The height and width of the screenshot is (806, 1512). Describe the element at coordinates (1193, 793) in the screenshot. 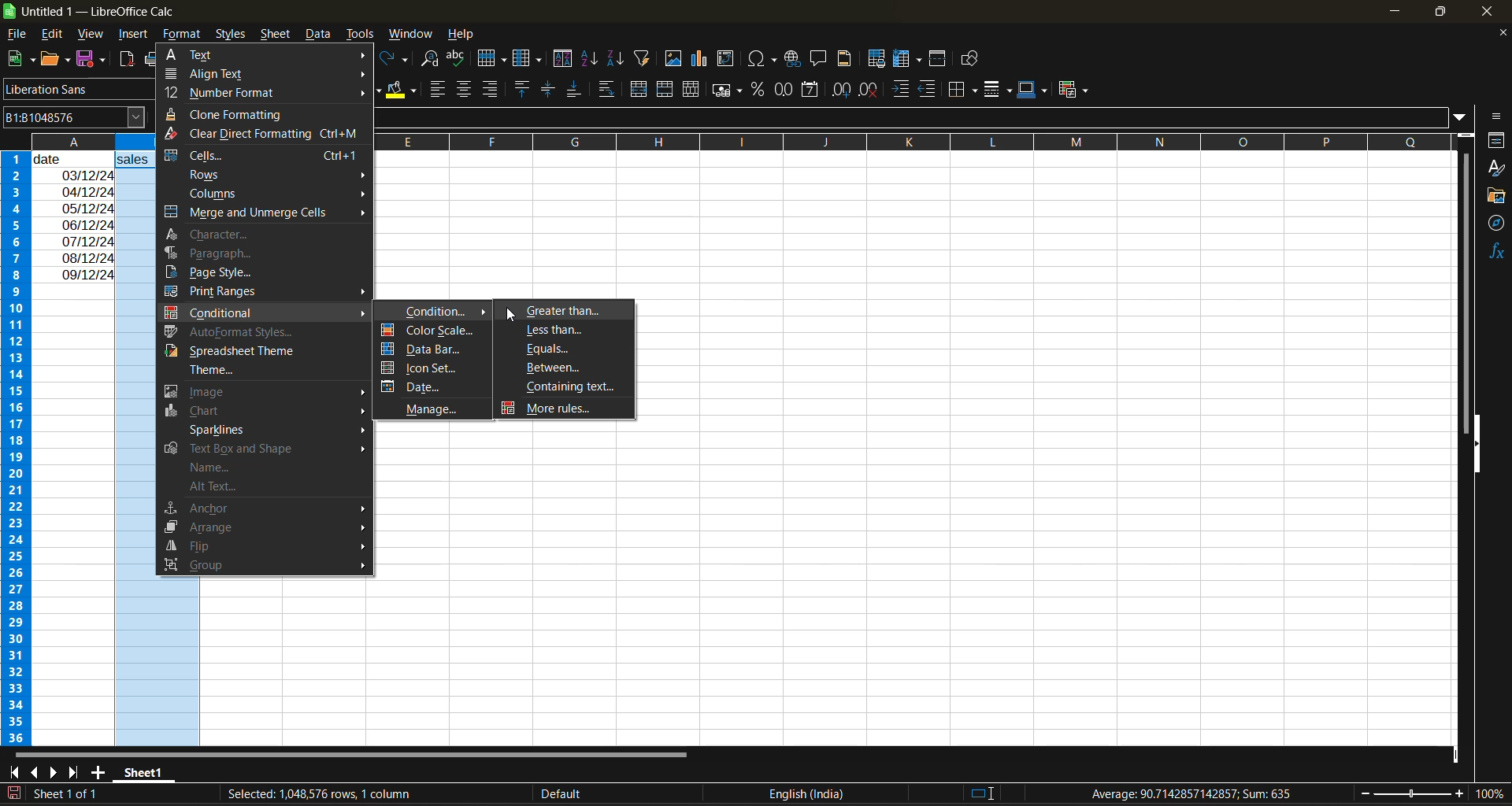

I see `formula` at that location.